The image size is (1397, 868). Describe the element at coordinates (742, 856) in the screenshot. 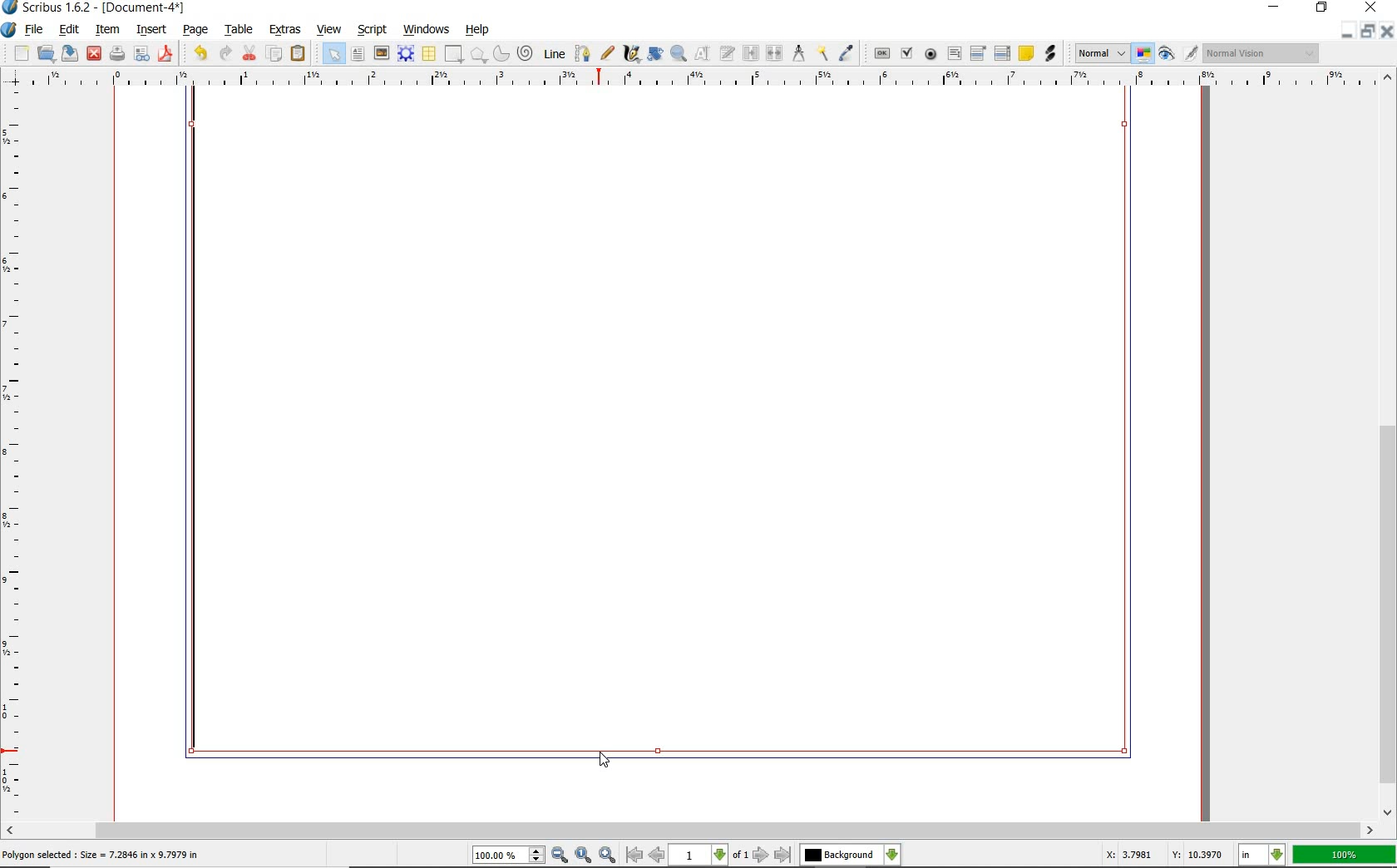

I see `of 1` at that location.